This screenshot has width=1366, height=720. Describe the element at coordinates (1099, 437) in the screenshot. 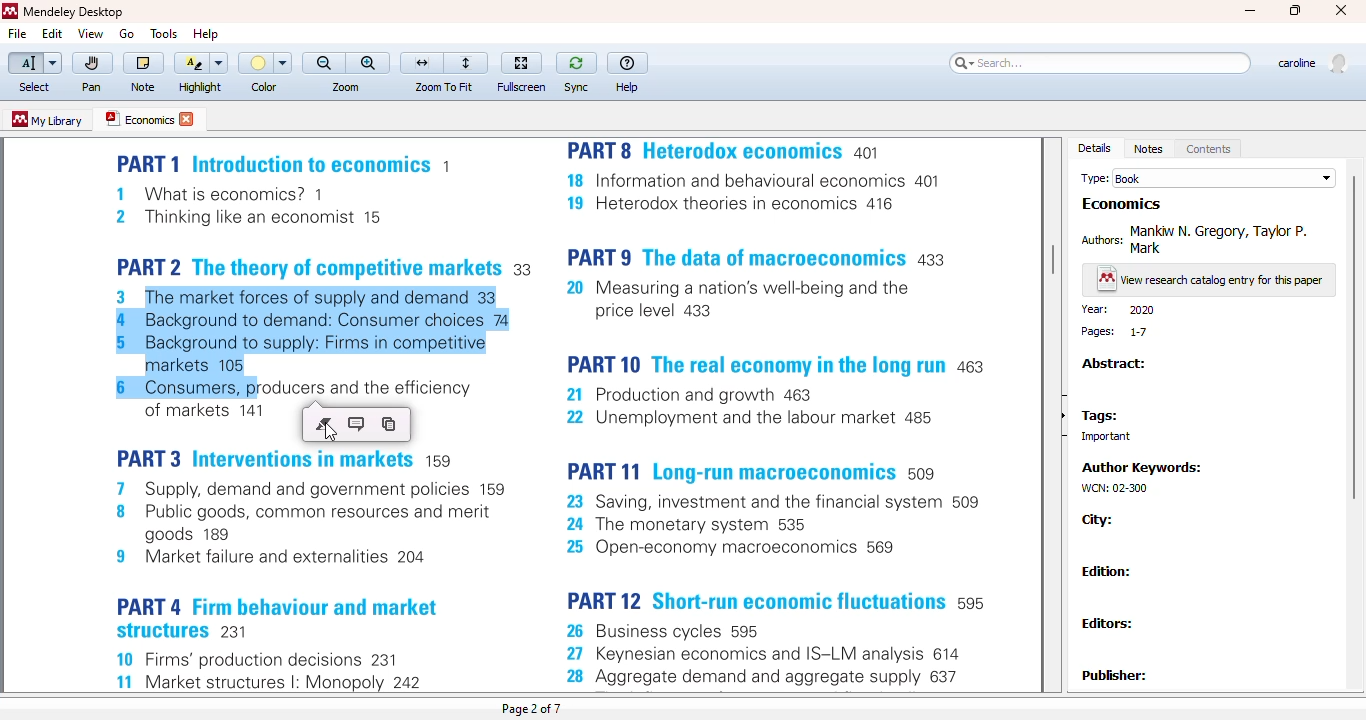

I see `important` at that location.